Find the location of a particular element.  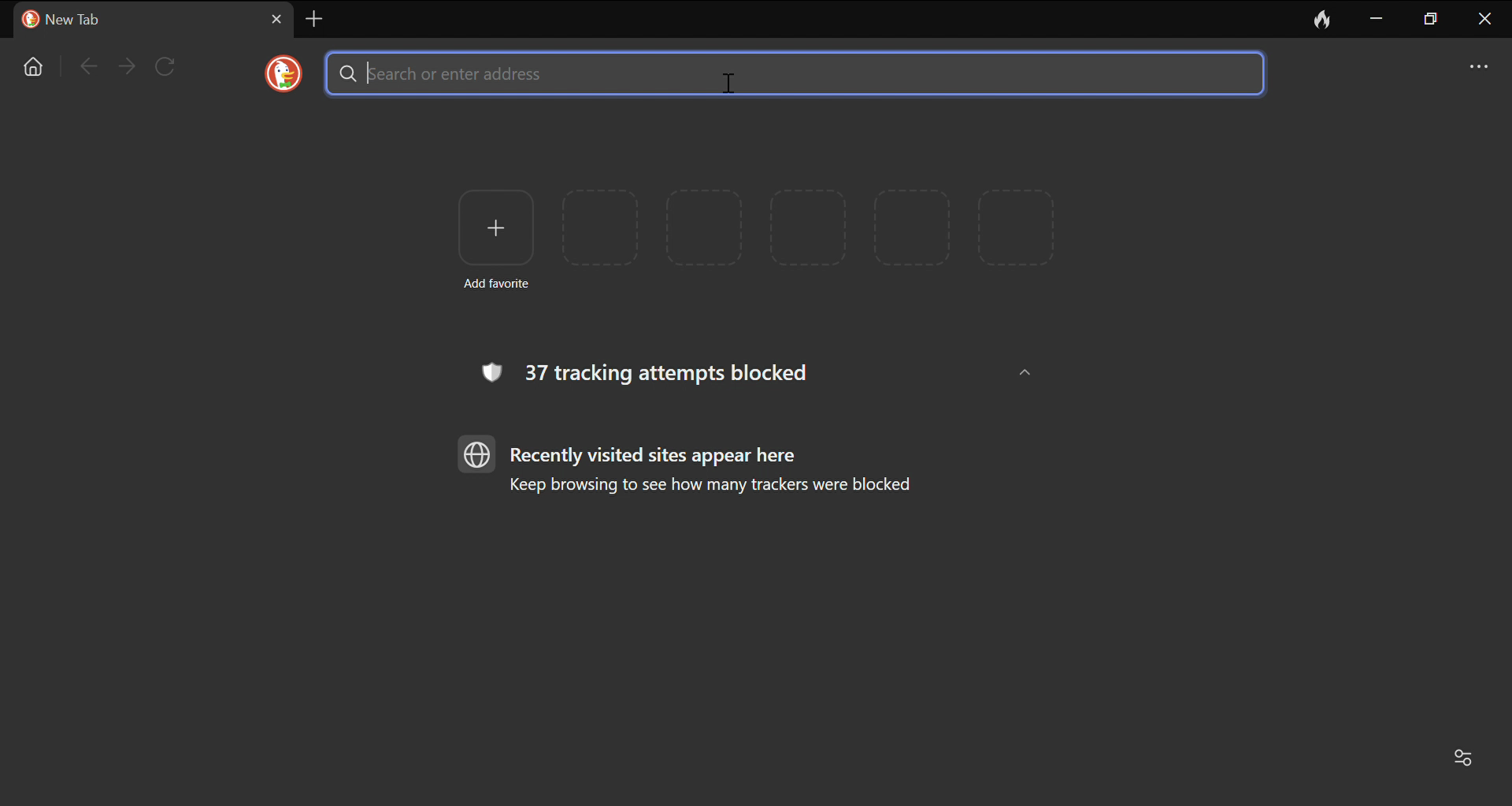

Forward is located at coordinates (127, 66).